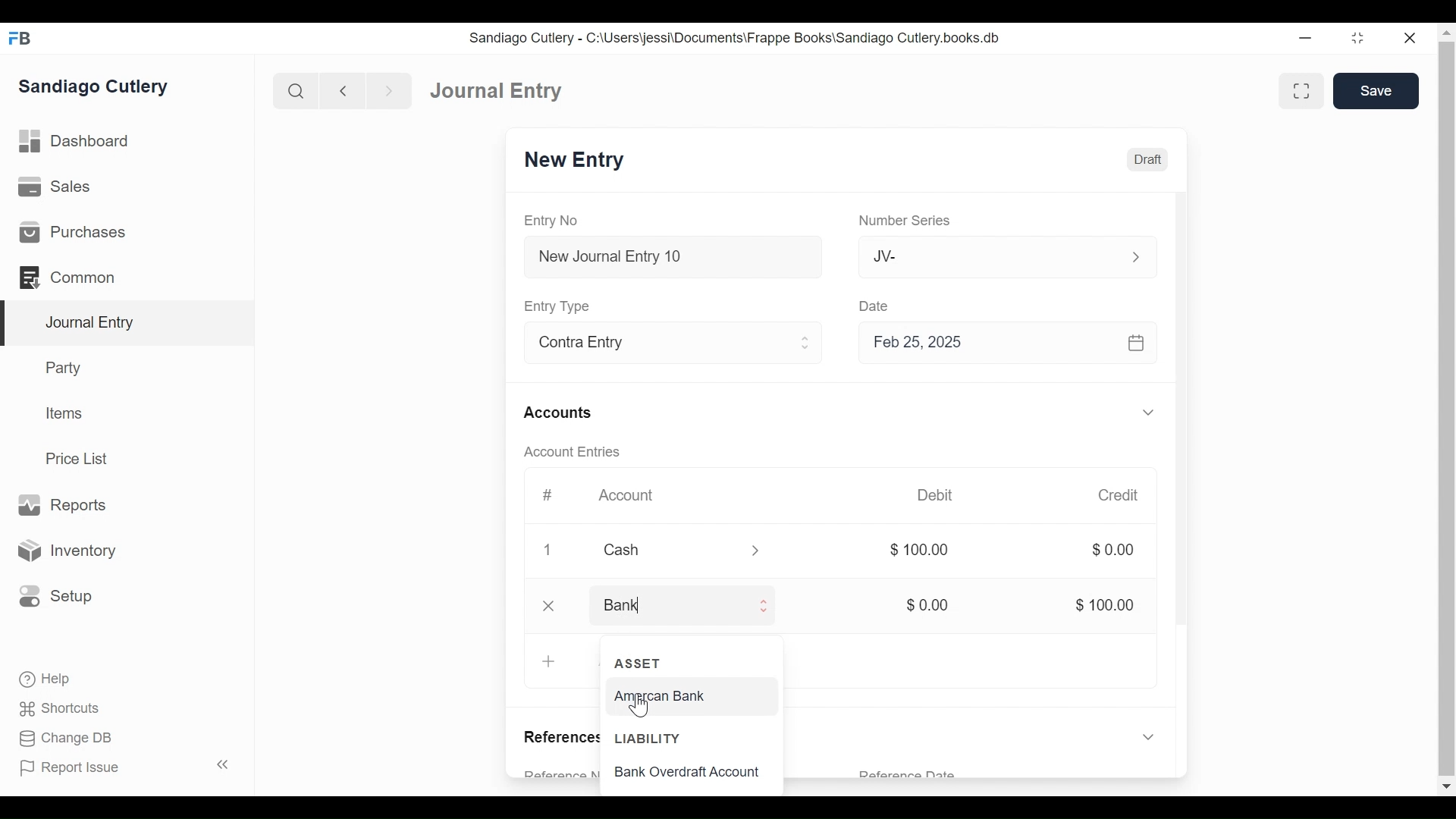  Describe the element at coordinates (576, 453) in the screenshot. I see `Account Entries` at that location.